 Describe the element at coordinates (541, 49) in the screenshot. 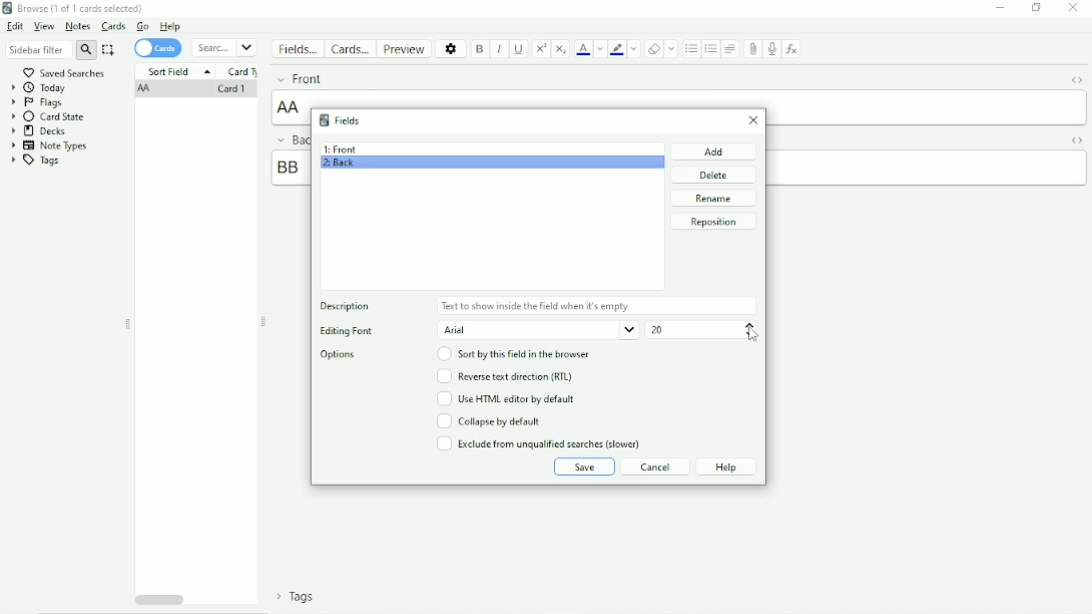

I see `Superscript` at that location.